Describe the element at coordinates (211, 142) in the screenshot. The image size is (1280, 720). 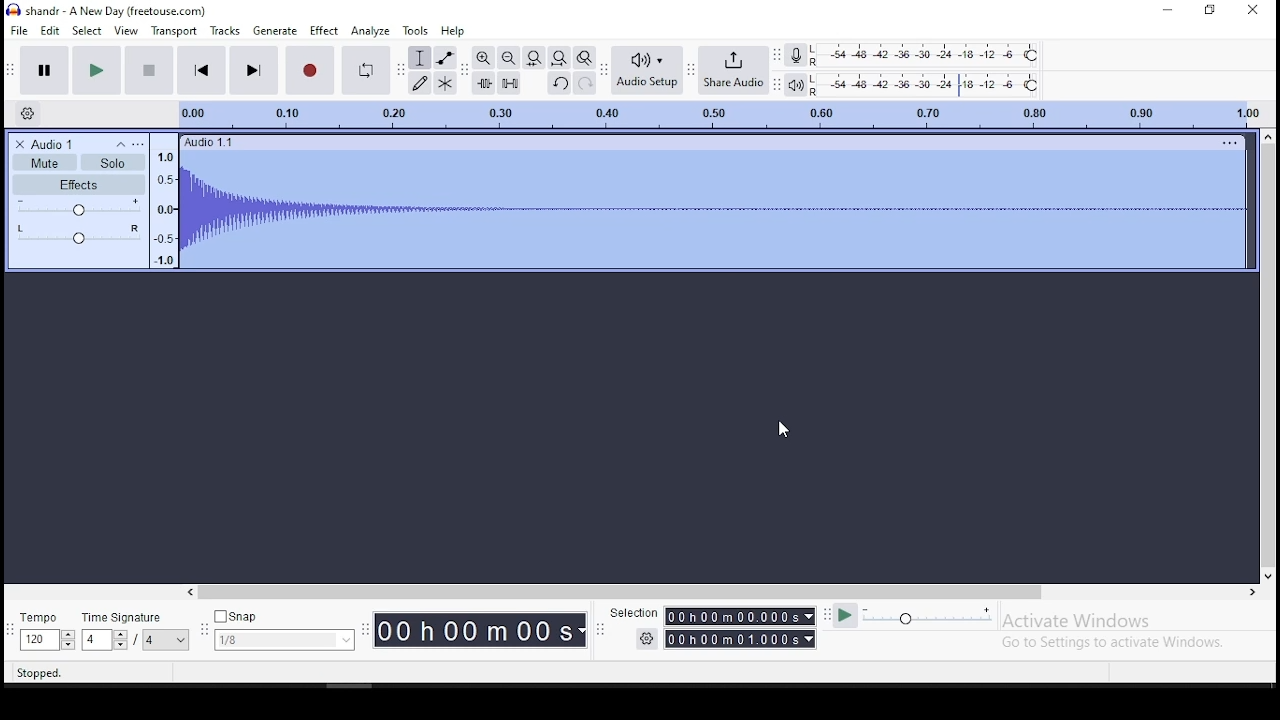
I see `text` at that location.